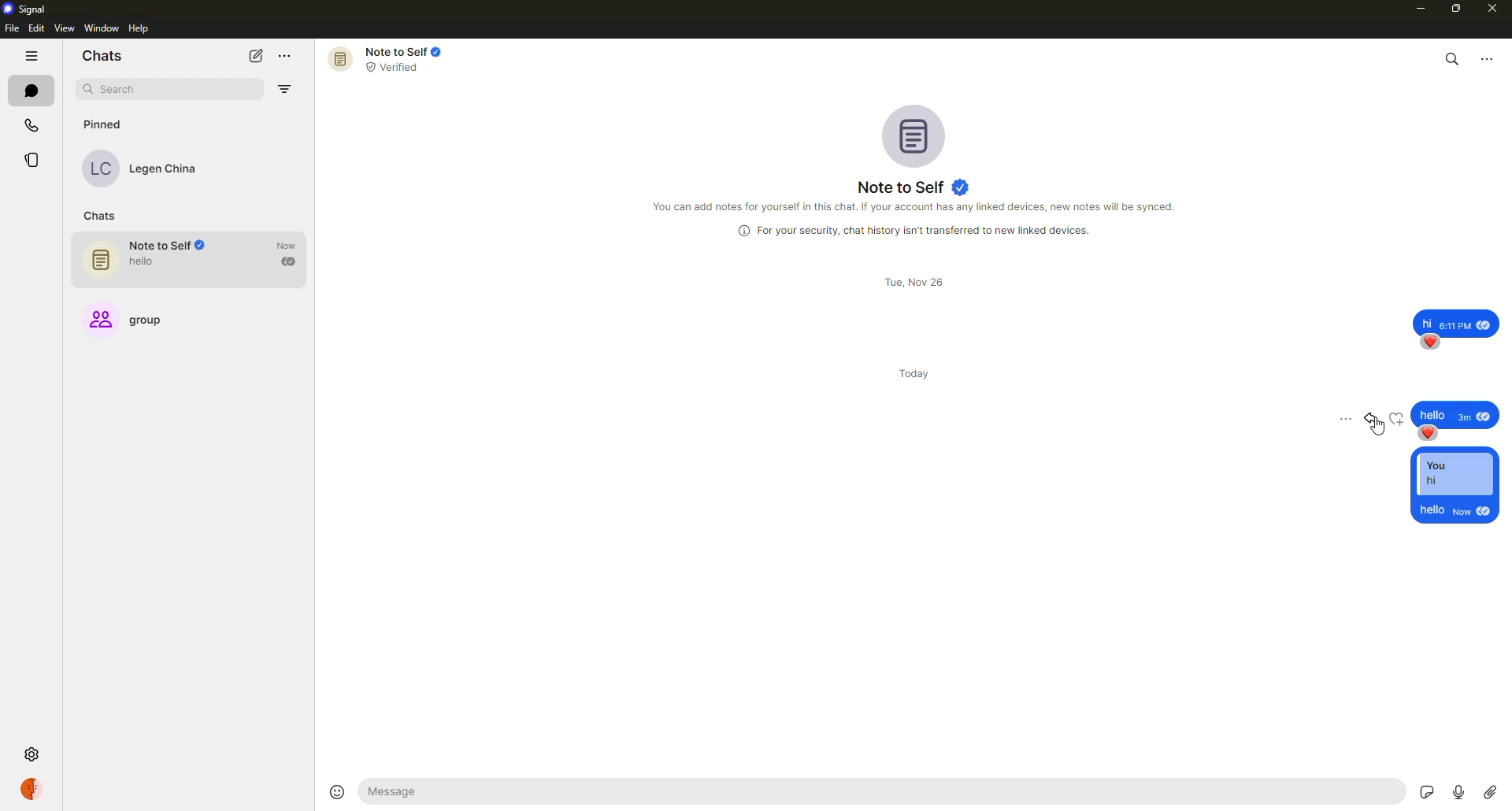 Image resolution: width=1512 pixels, height=811 pixels. Describe the element at coordinates (914, 229) in the screenshot. I see `info` at that location.